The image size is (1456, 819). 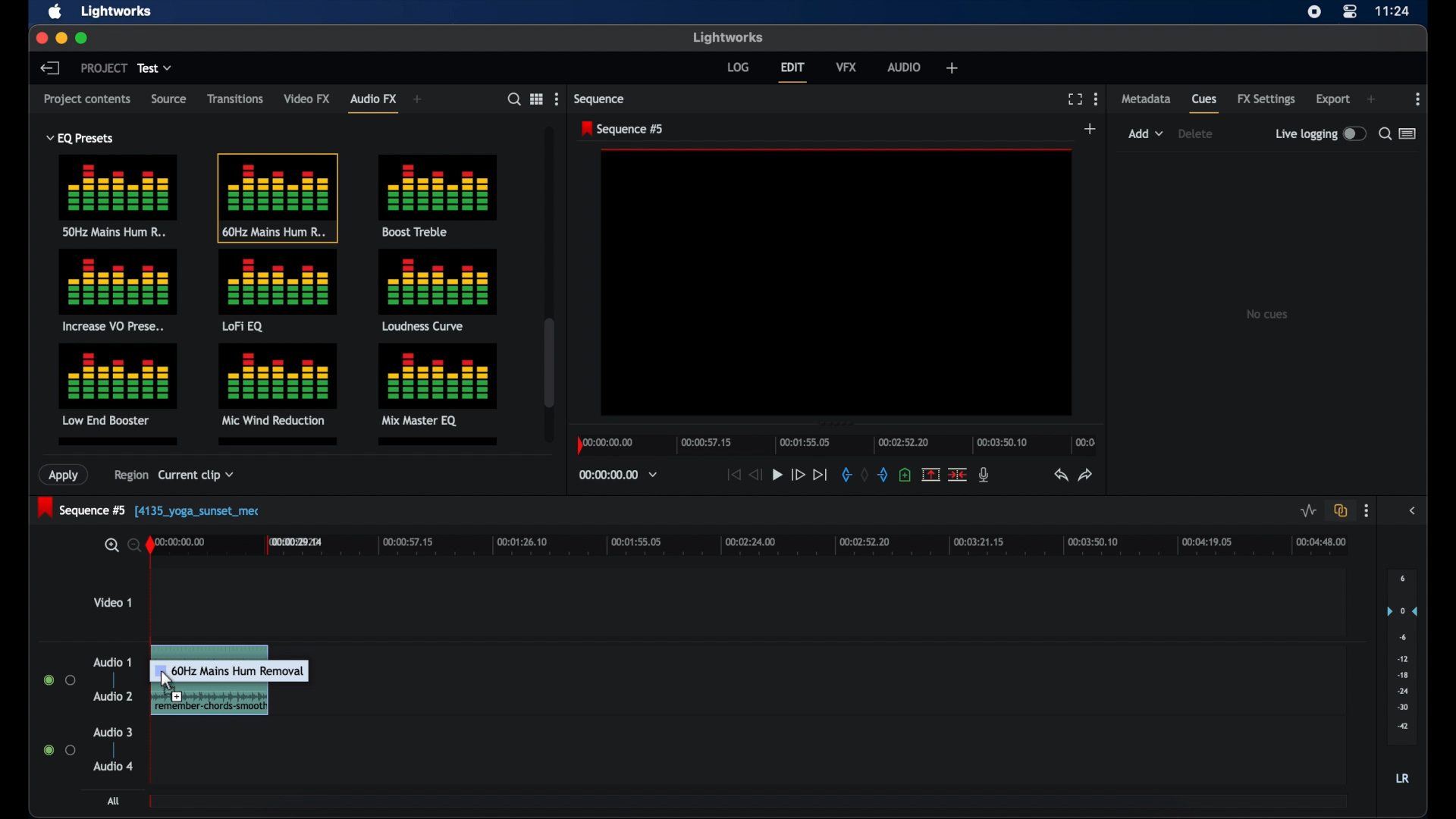 I want to click on increase presets, so click(x=119, y=291).